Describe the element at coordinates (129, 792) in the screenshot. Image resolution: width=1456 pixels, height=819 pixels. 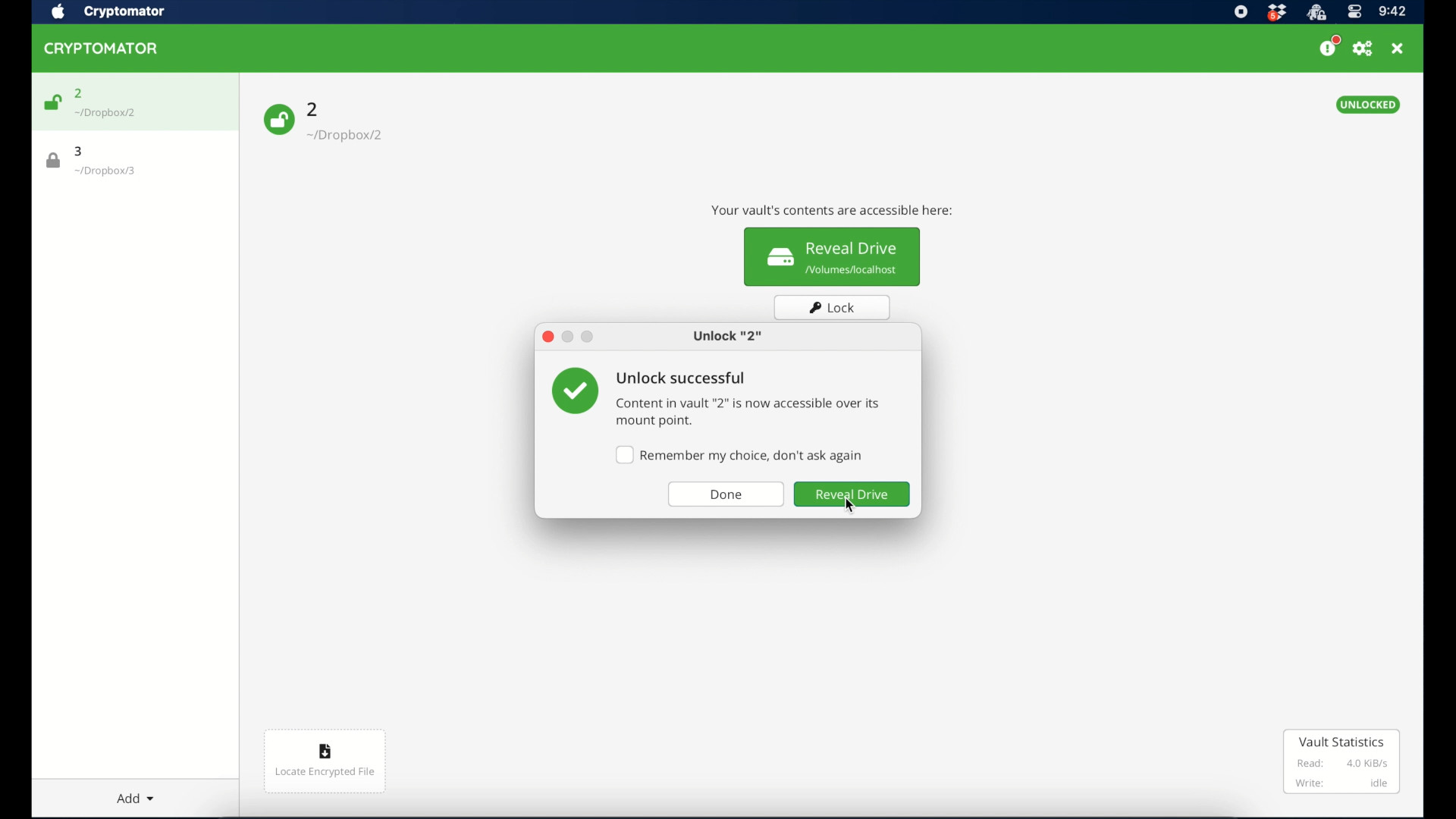
I see `add dropdown` at that location.